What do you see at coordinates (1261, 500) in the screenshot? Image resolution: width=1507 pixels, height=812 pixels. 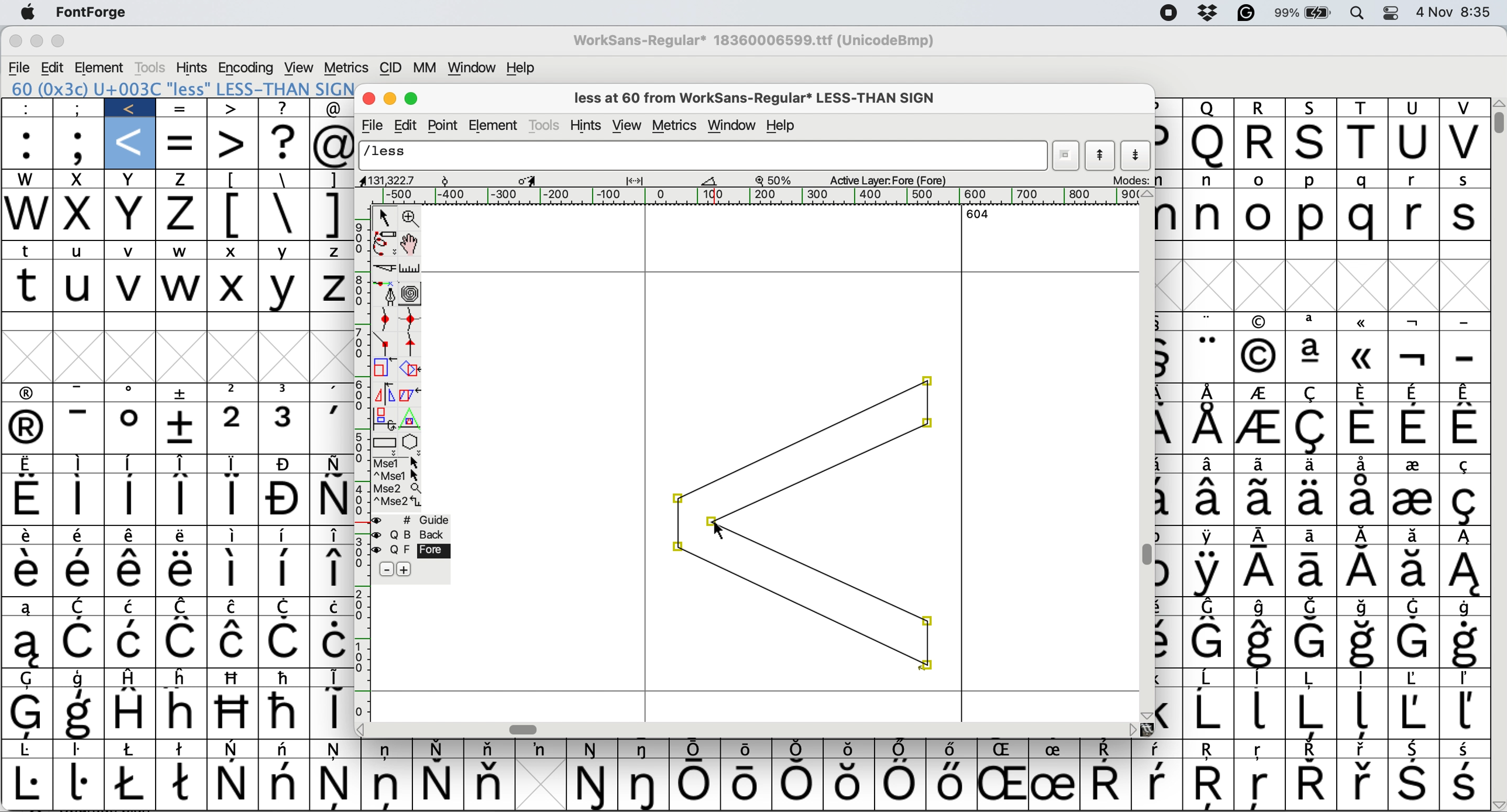 I see `Symbol` at bounding box center [1261, 500].